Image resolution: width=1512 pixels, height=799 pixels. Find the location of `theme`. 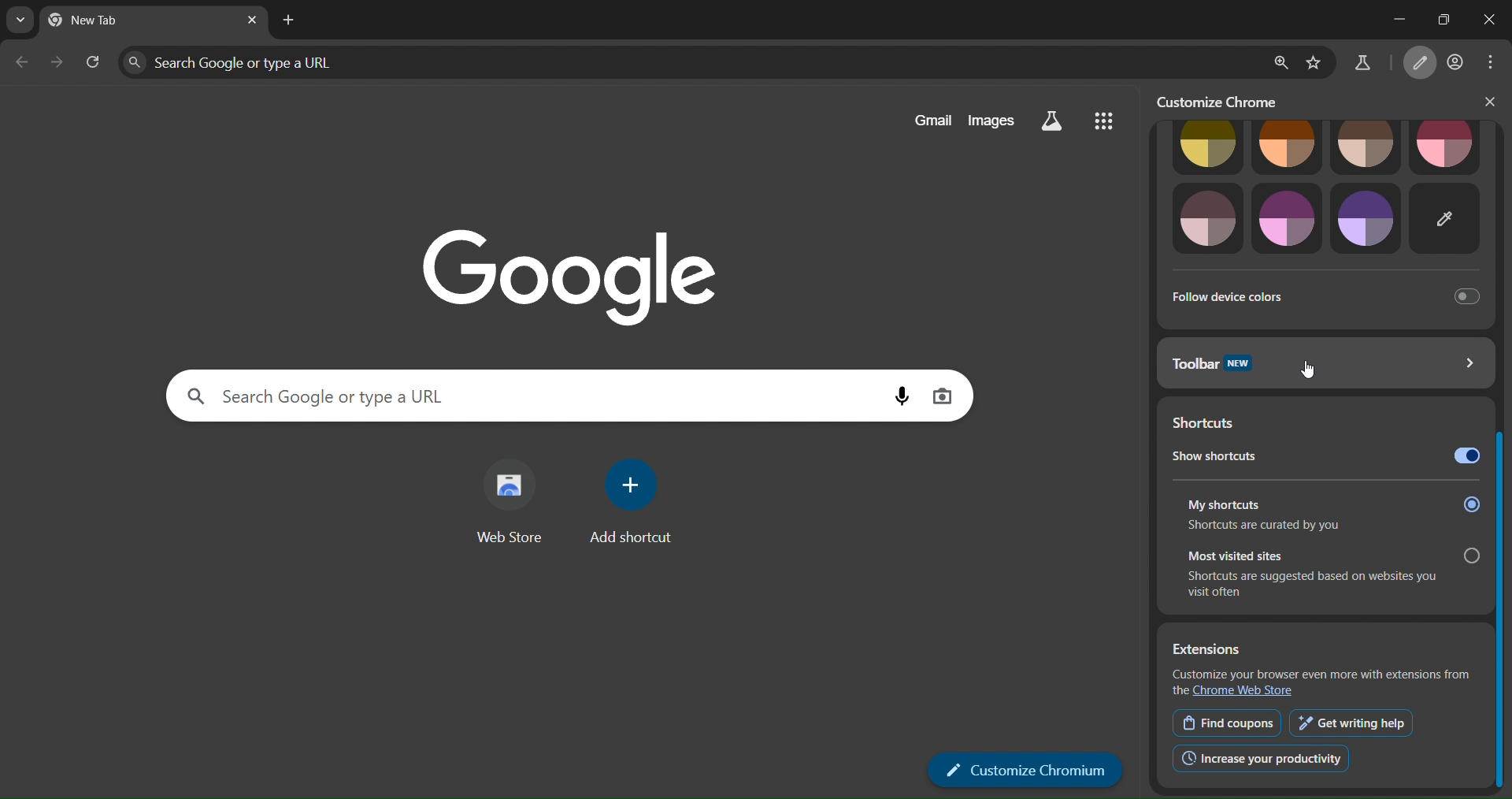

theme is located at coordinates (1289, 218).